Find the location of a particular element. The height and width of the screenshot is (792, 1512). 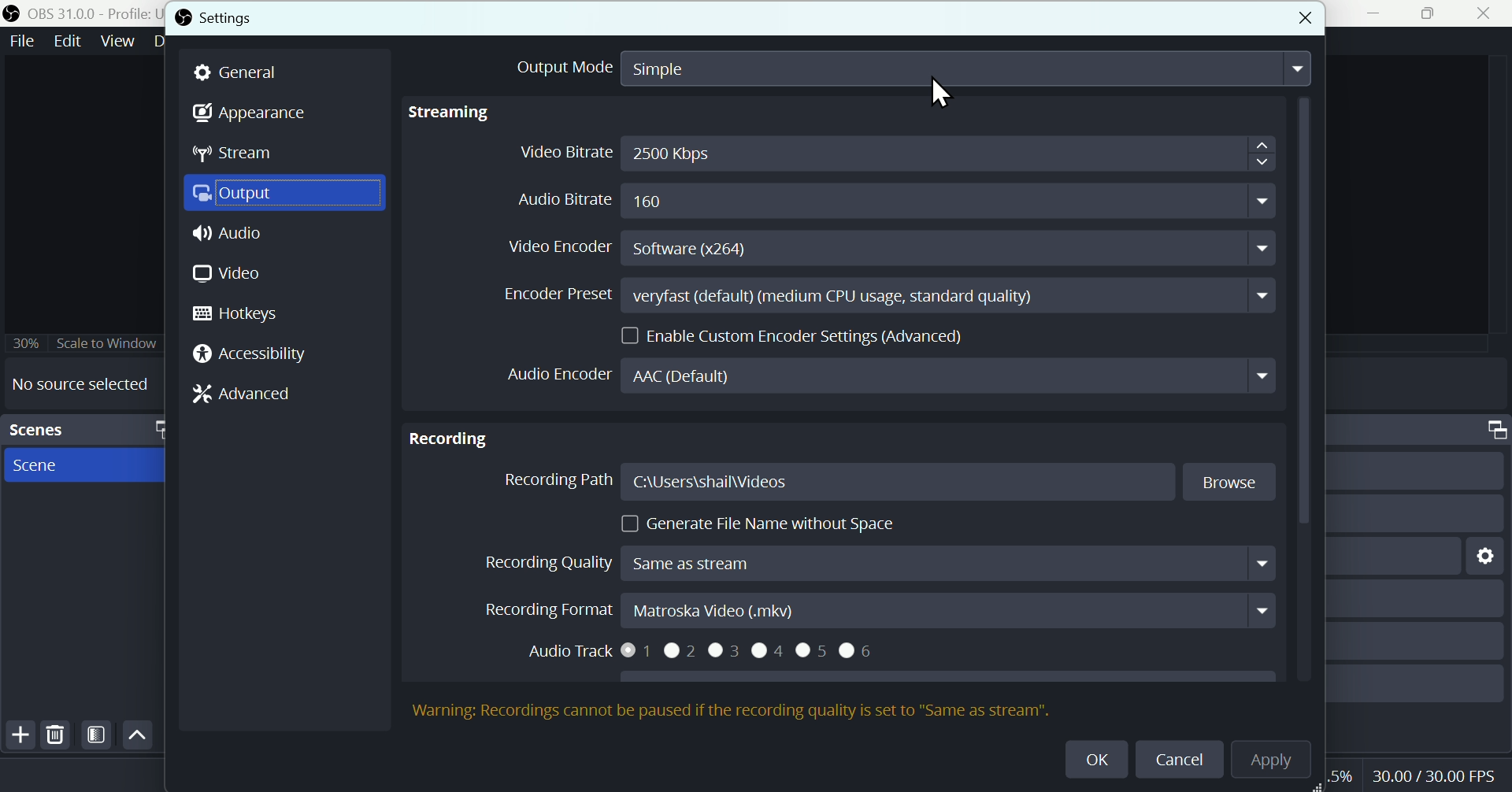

 is located at coordinates (1490, 430).